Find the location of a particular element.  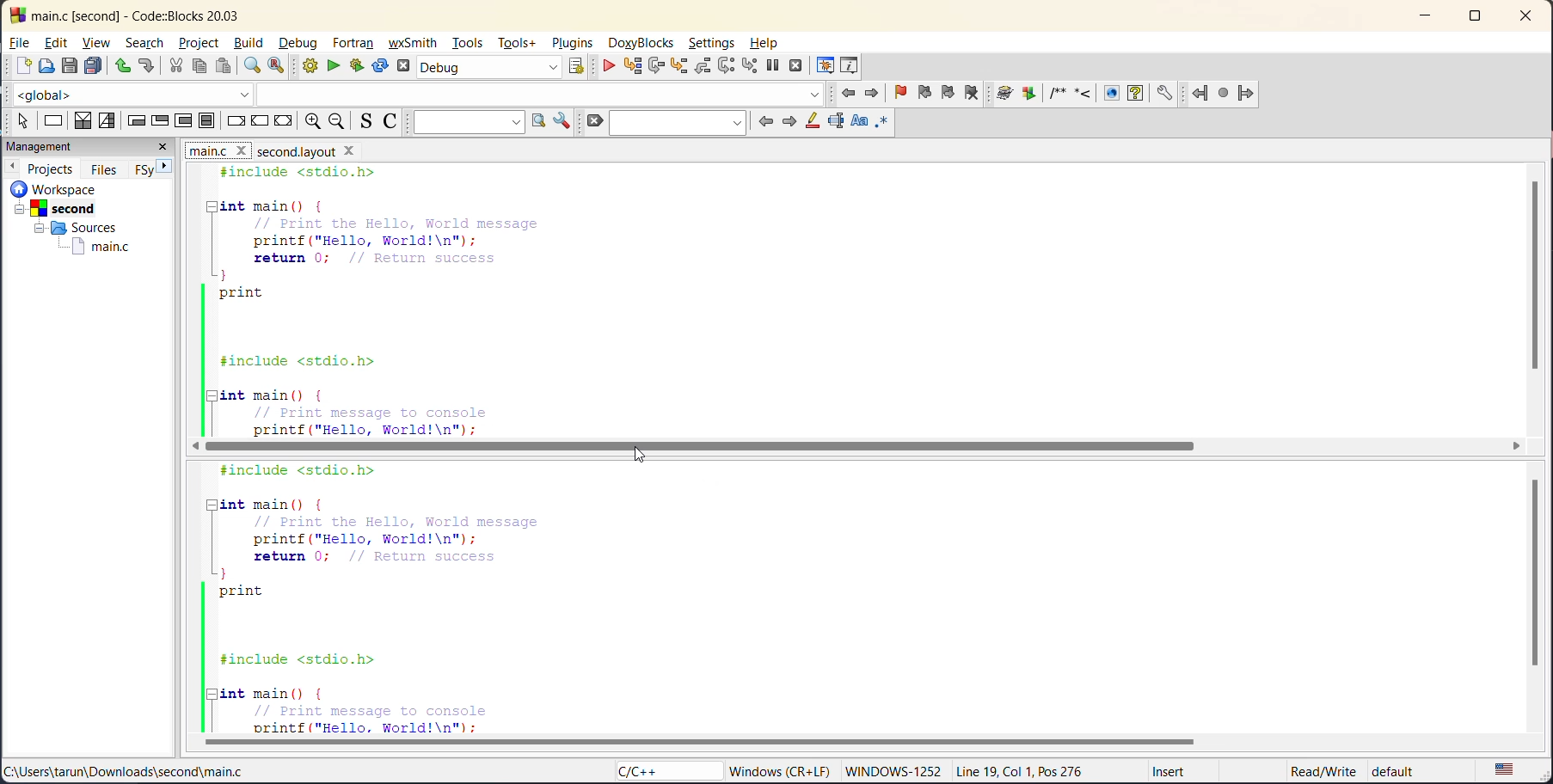

build target is located at coordinates (486, 67).